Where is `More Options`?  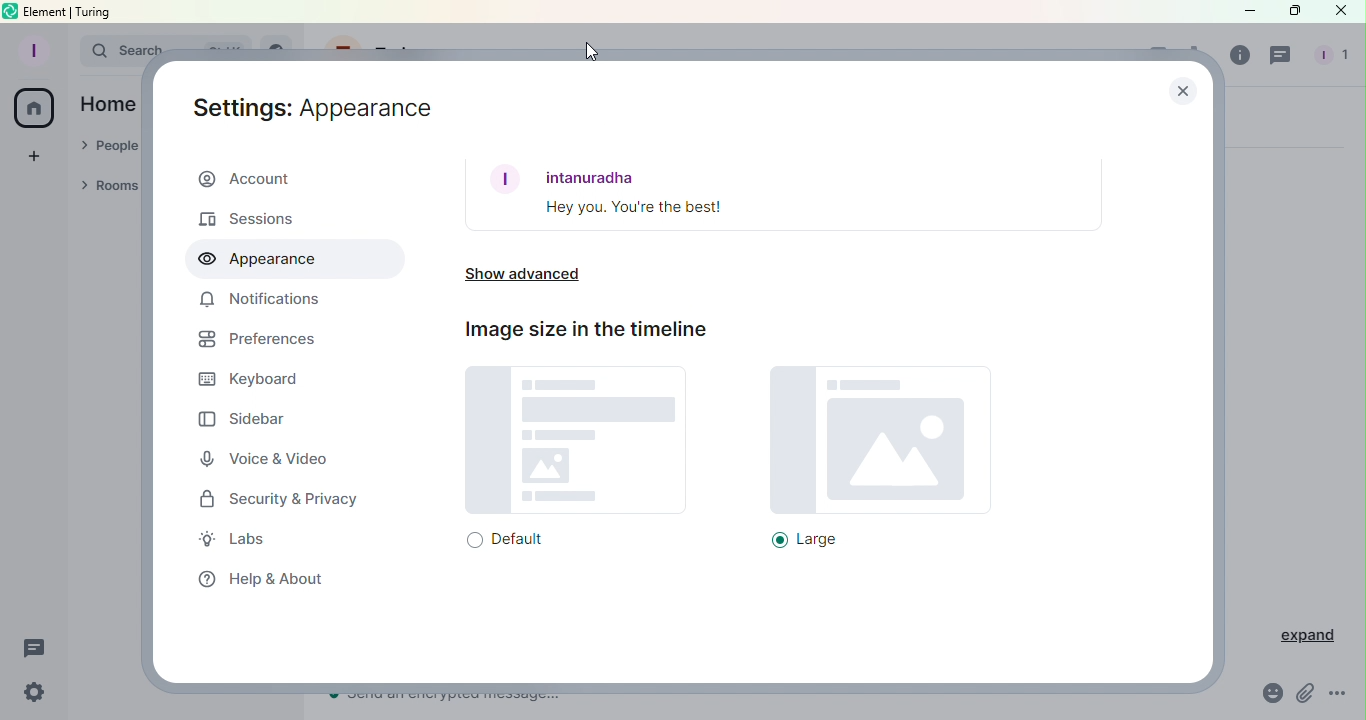
More Options is located at coordinates (1340, 697).